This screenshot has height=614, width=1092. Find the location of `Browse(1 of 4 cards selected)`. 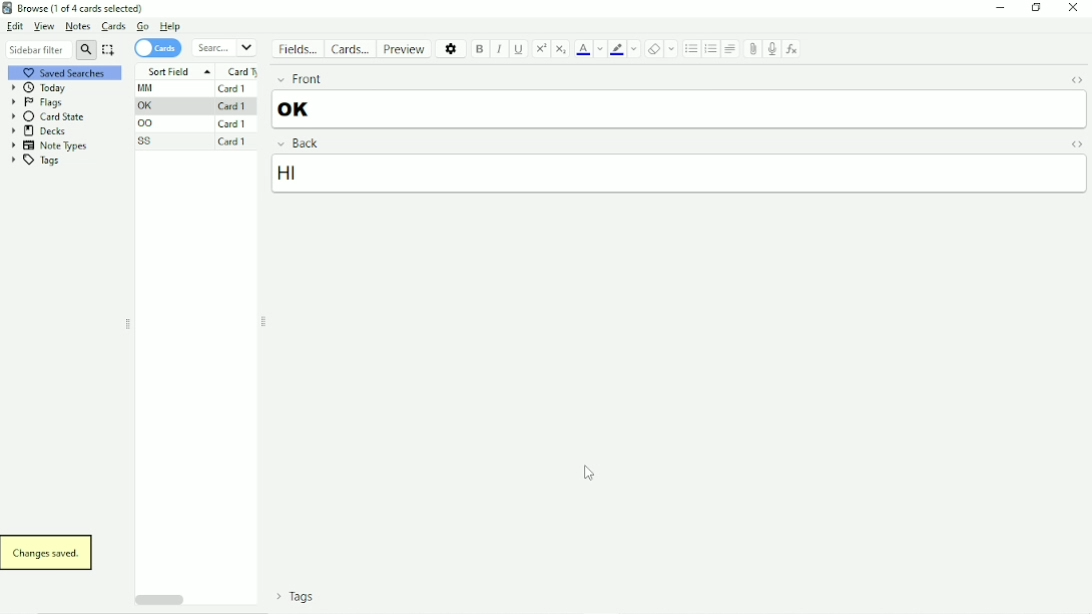

Browse(1 of 4 cards selected) is located at coordinates (76, 8).